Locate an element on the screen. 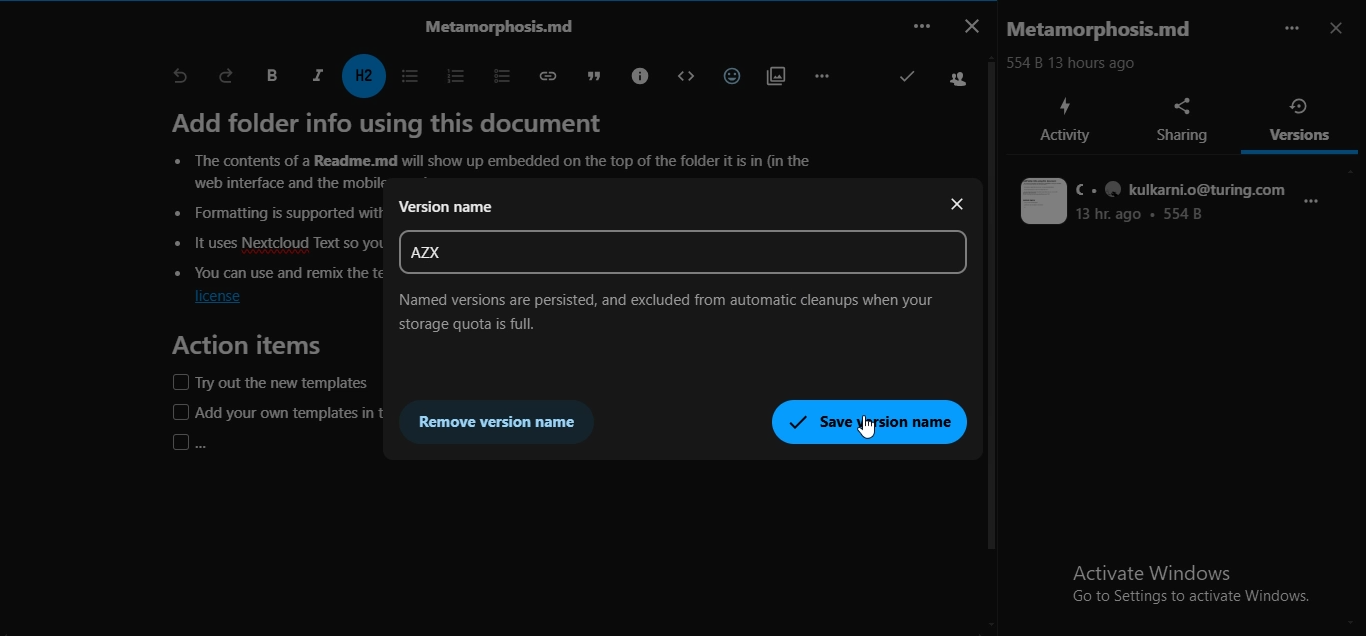 The width and height of the screenshot is (1366, 636). sharing is located at coordinates (1186, 120).